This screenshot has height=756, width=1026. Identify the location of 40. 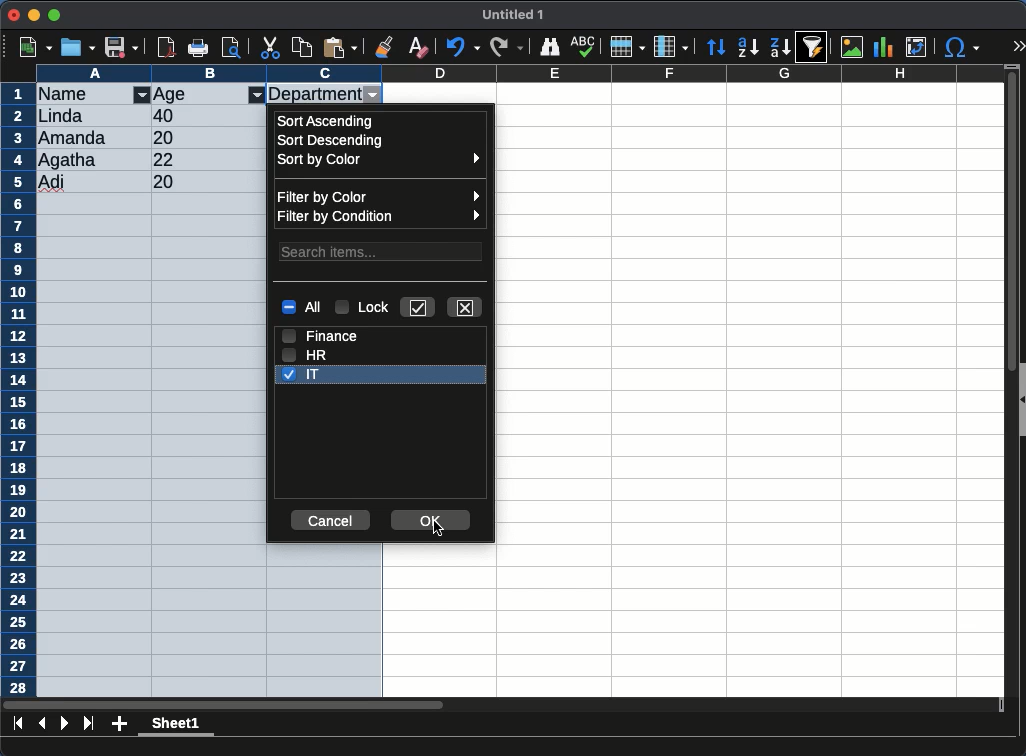
(164, 116).